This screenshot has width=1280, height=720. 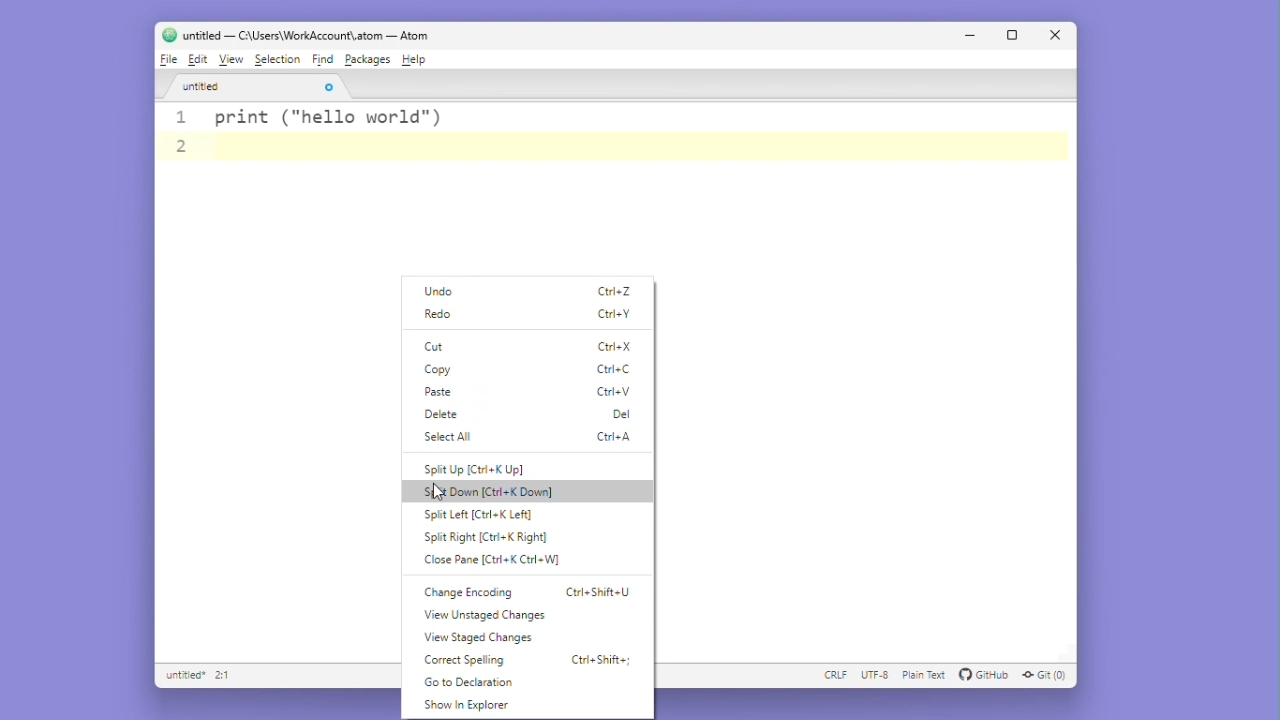 I want to click on Selection, so click(x=278, y=60).